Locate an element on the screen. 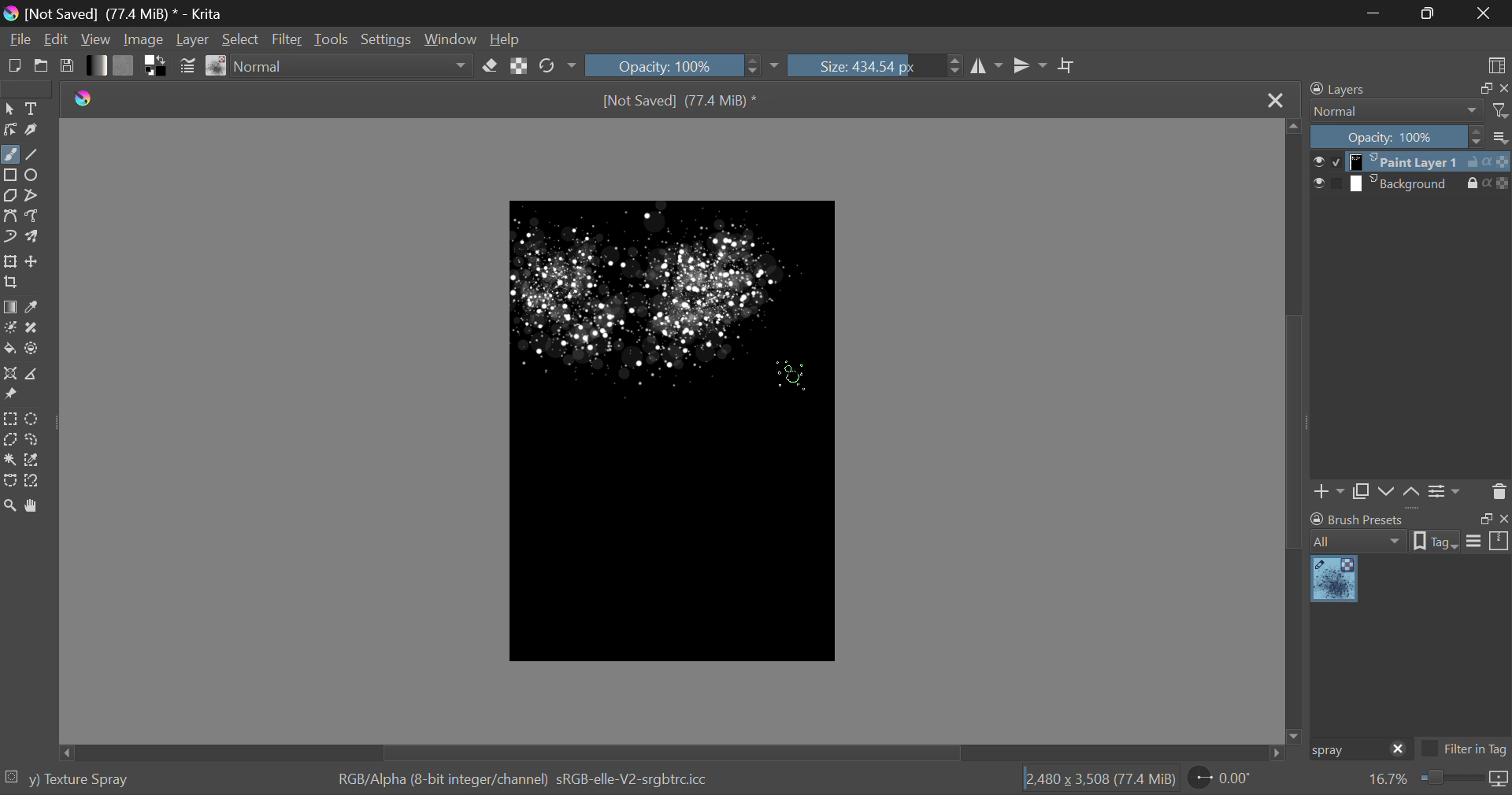  Smart Patch Tool is located at coordinates (32, 331).